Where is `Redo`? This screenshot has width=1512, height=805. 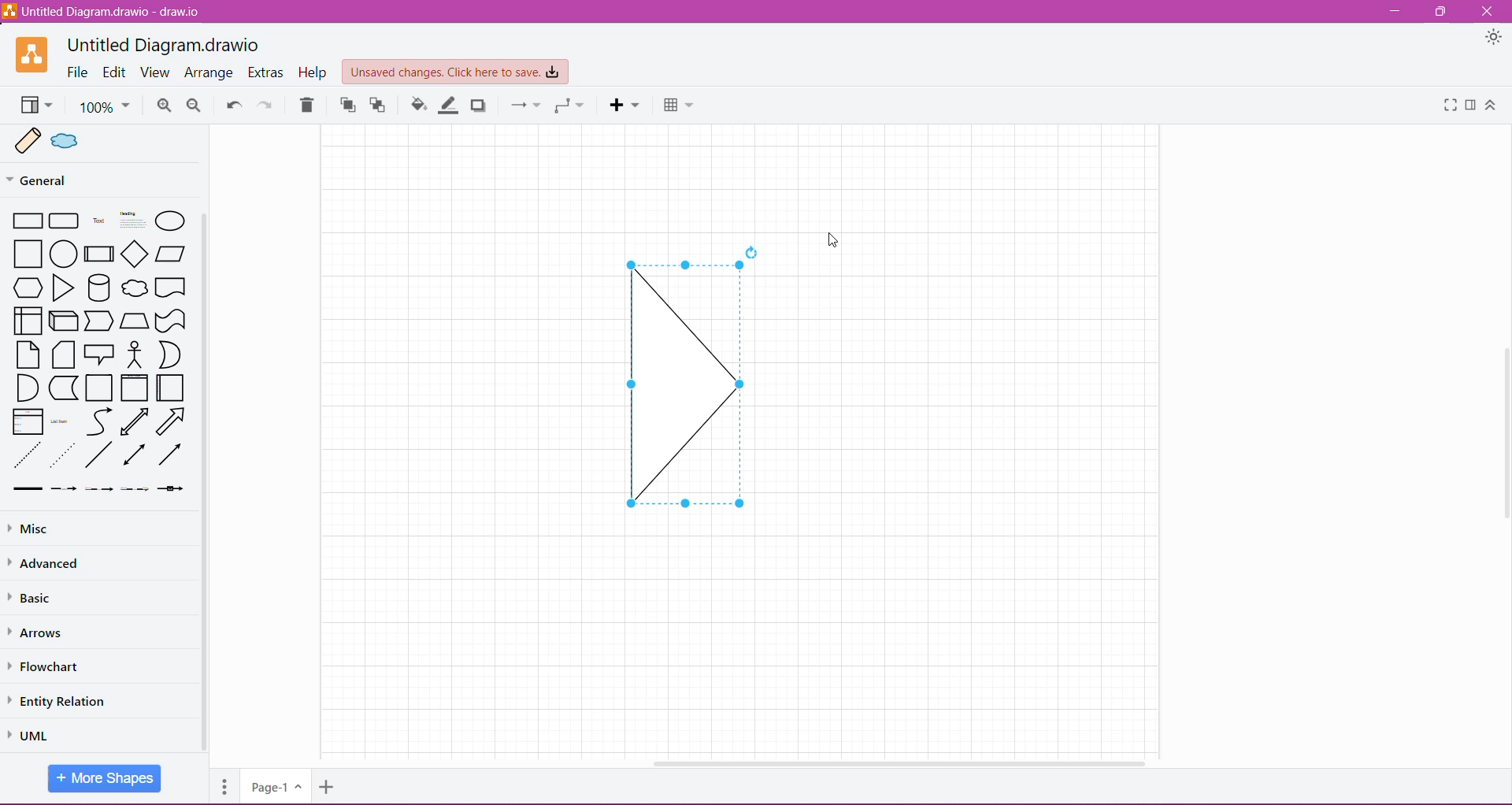
Redo is located at coordinates (268, 104).